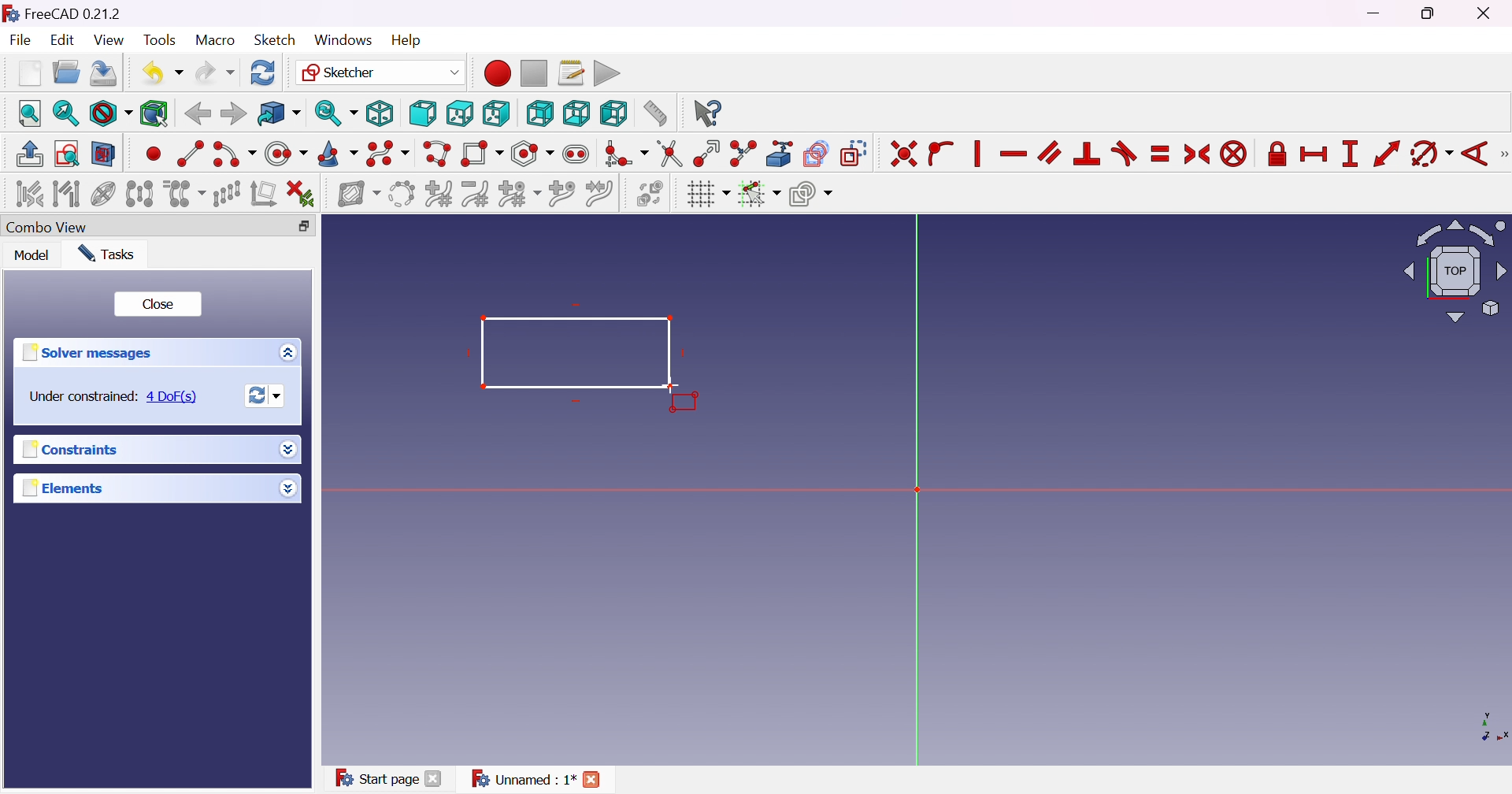  Describe the element at coordinates (407, 40) in the screenshot. I see `Help` at that location.